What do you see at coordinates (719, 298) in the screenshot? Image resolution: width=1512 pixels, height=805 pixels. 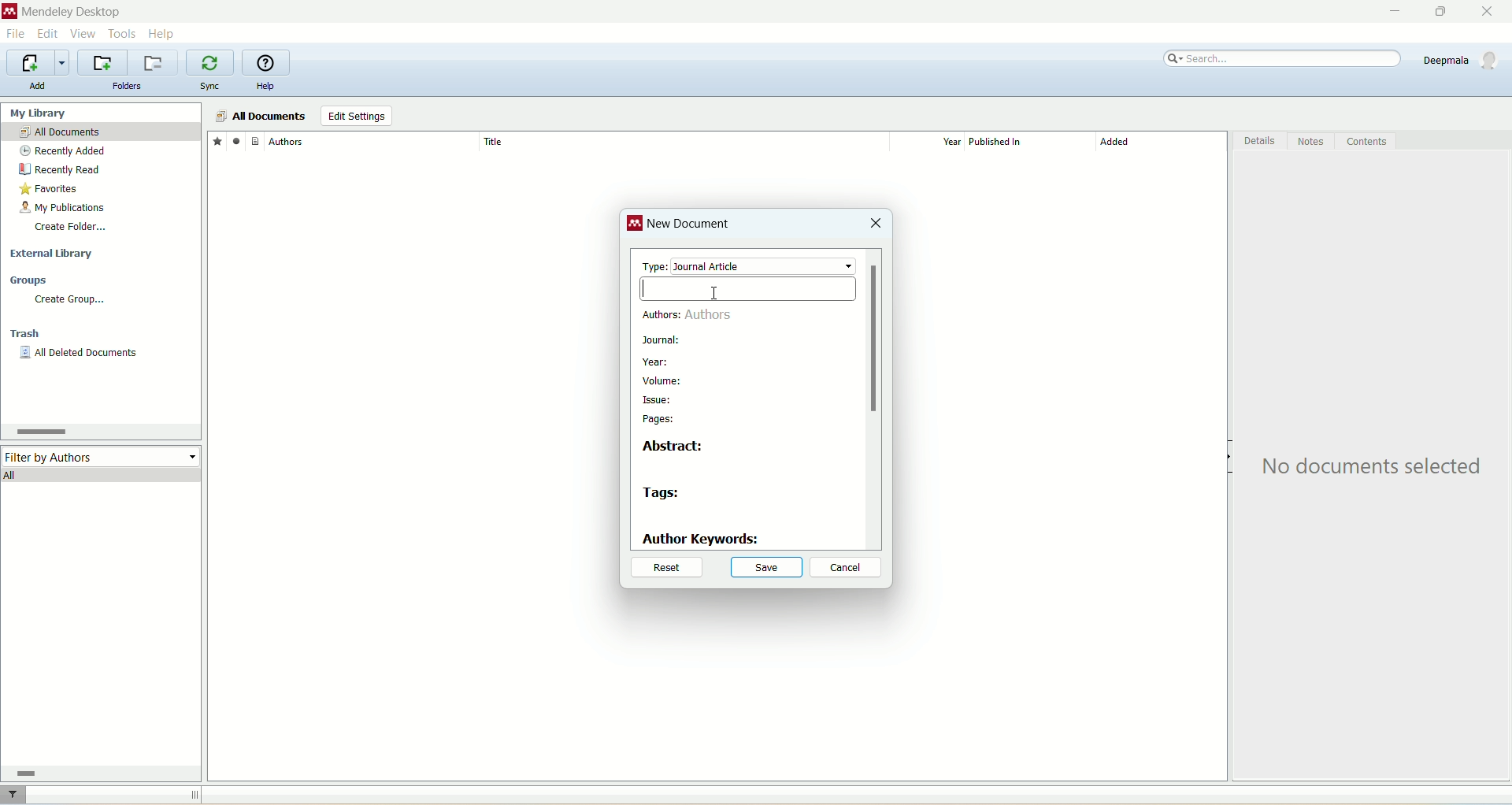 I see `cursor` at bounding box center [719, 298].